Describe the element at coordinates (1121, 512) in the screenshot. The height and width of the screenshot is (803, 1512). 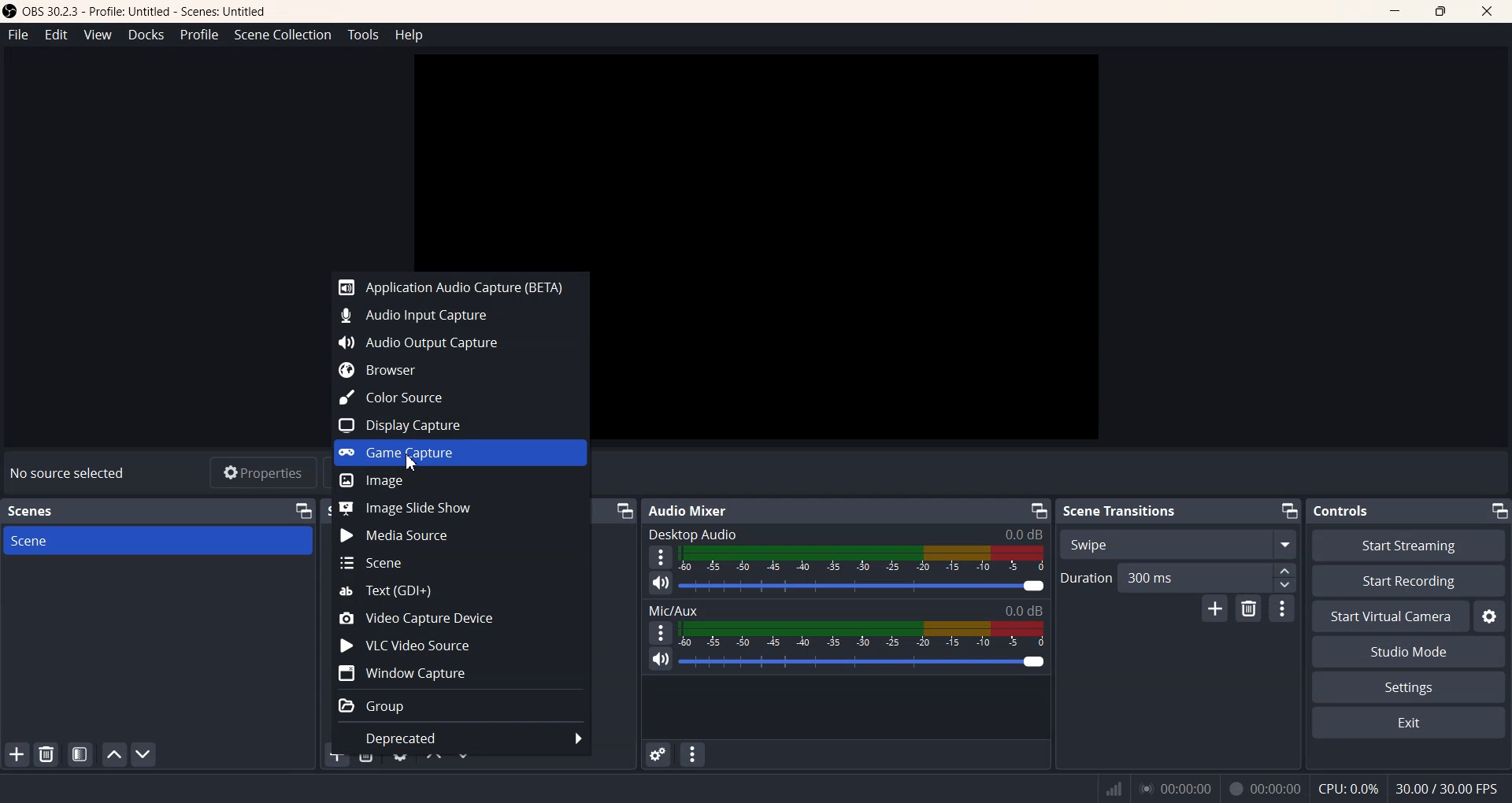
I see `Text` at that location.